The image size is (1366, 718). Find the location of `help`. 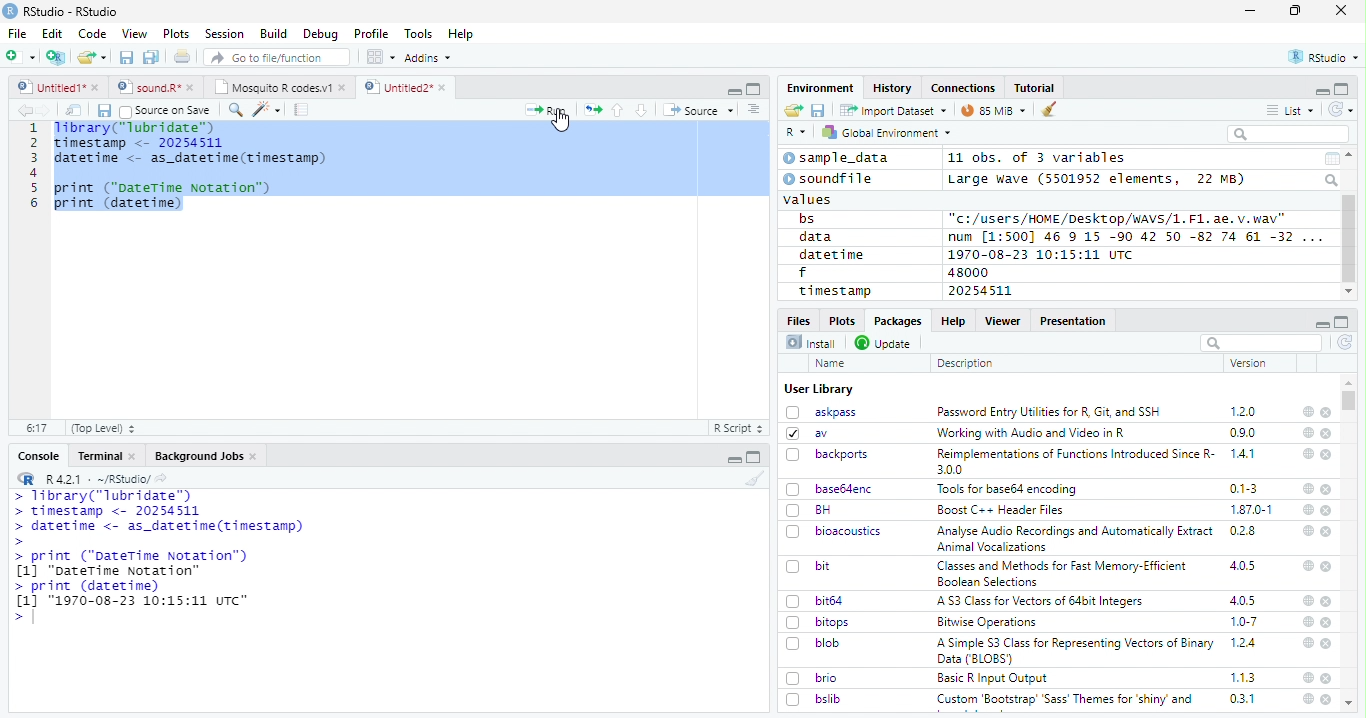

help is located at coordinates (1306, 642).